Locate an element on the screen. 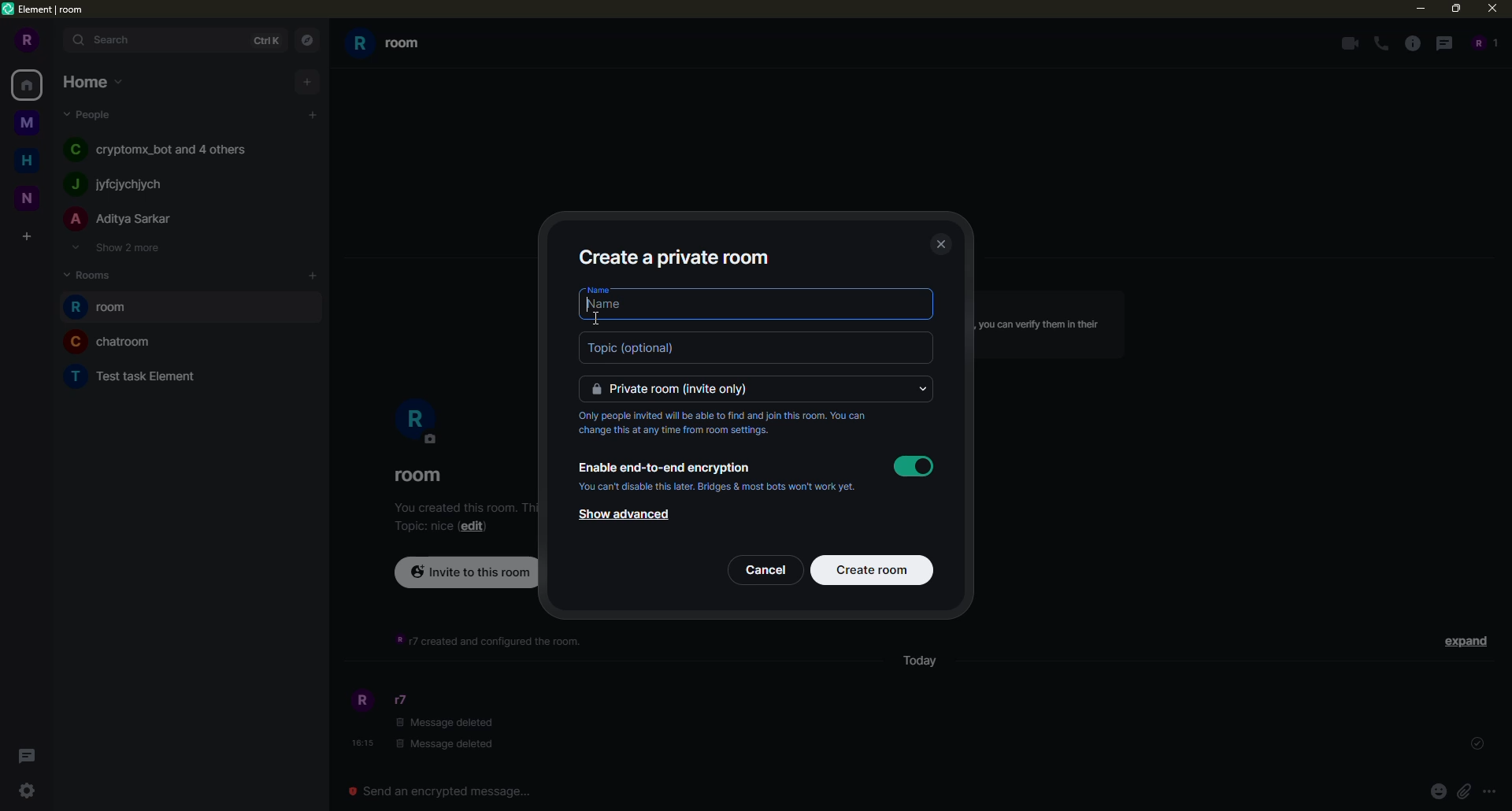  home is located at coordinates (92, 81).